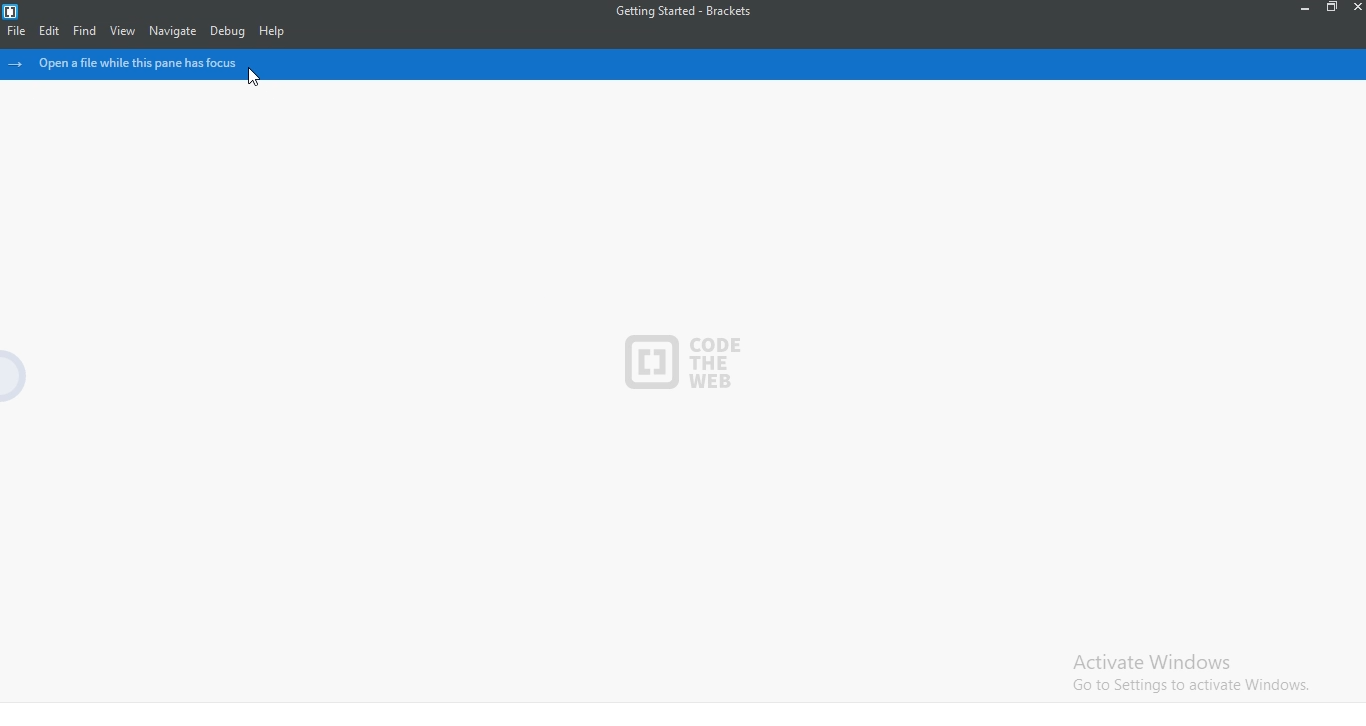  I want to click on View, so click(125, 31).